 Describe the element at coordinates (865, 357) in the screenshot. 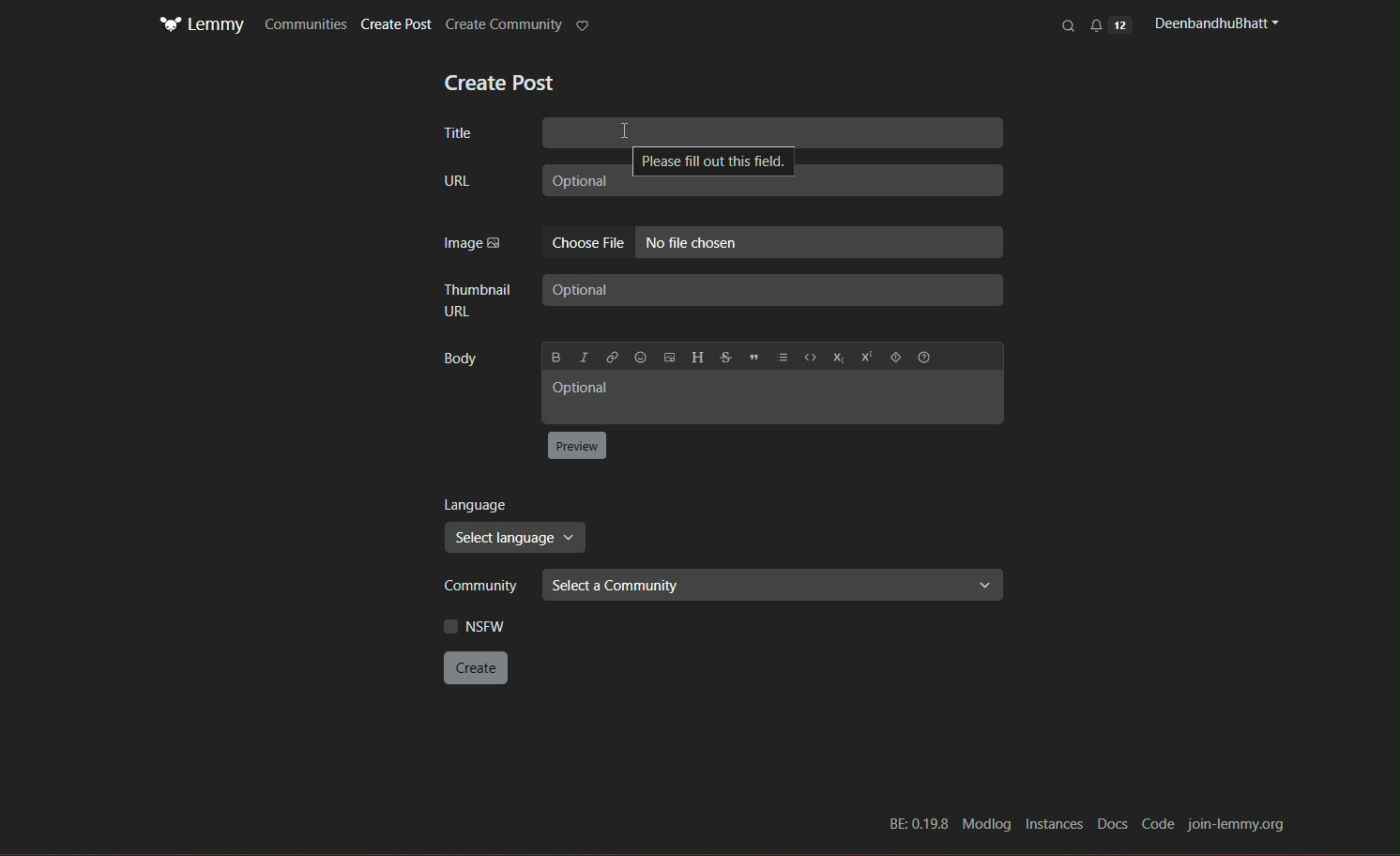

I see `superscript` at that location.